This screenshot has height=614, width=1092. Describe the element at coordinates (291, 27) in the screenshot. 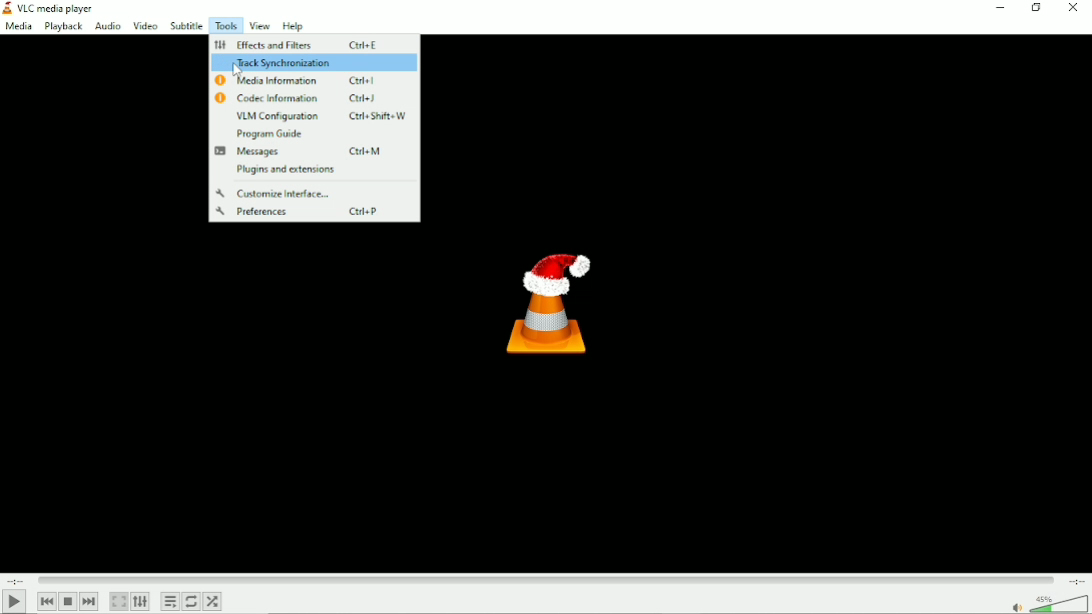

I see `help` at that location.